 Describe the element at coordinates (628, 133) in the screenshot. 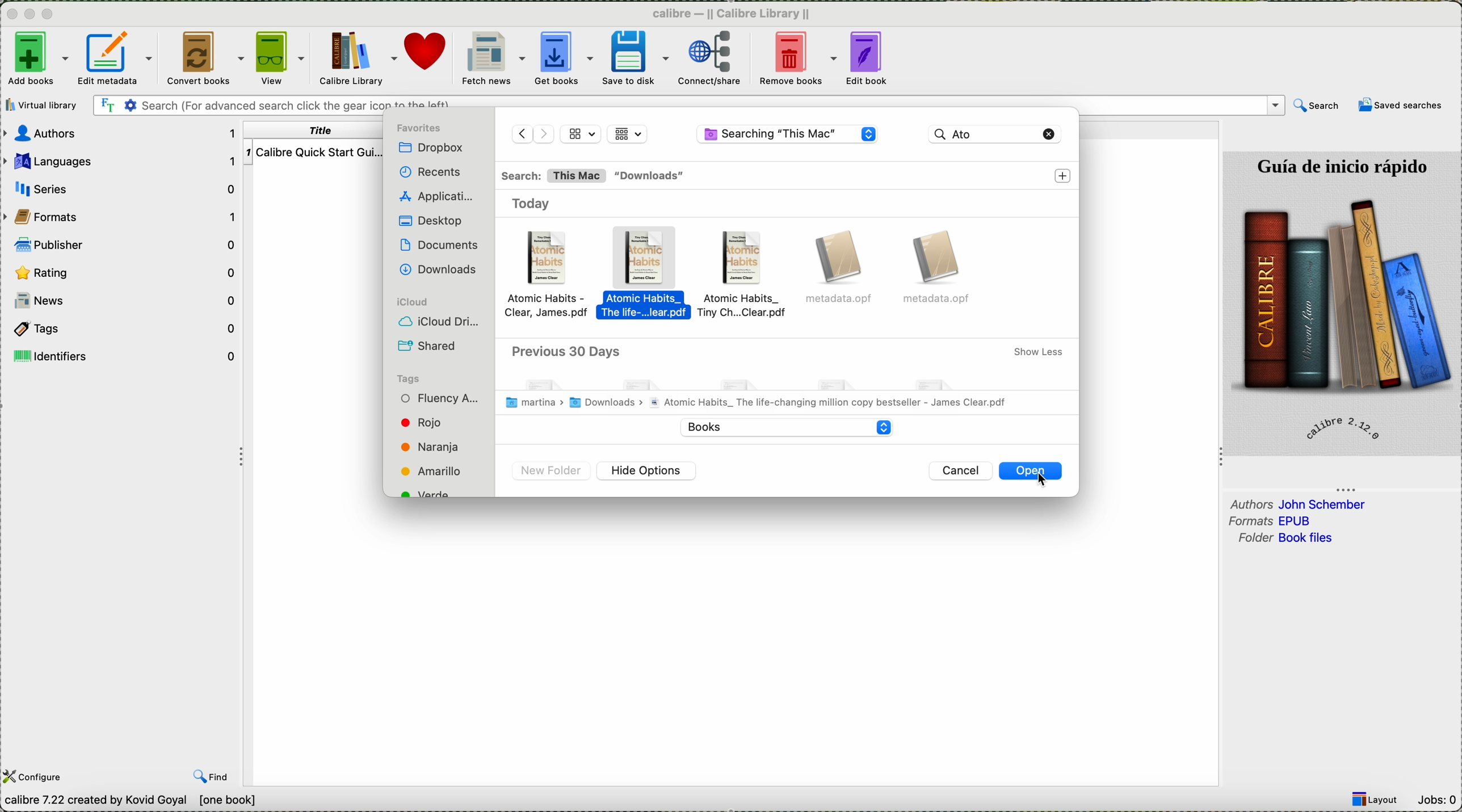

I see `grid view` at that location.